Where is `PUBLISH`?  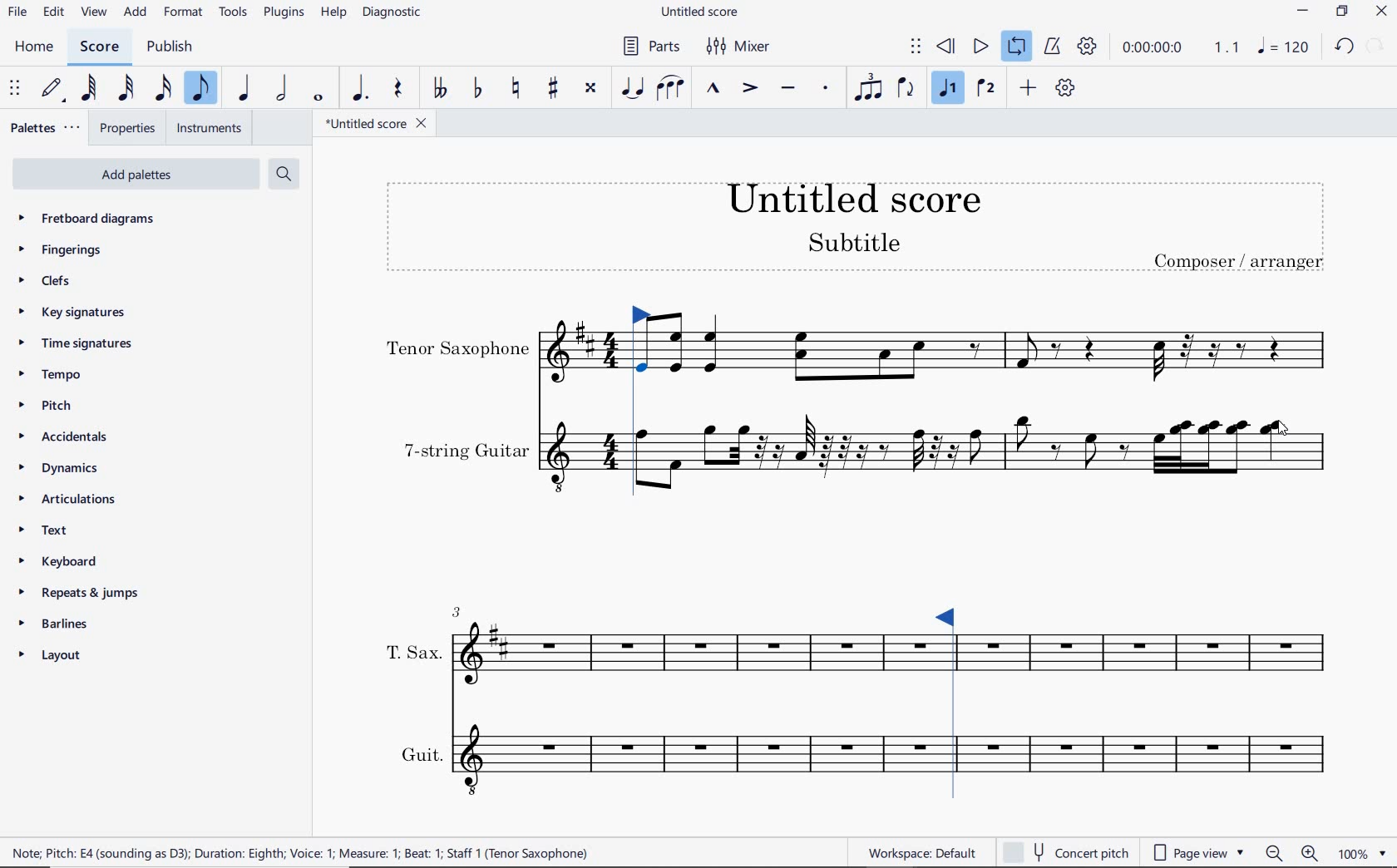 PUBLISH is located at coordinates (170, 50).